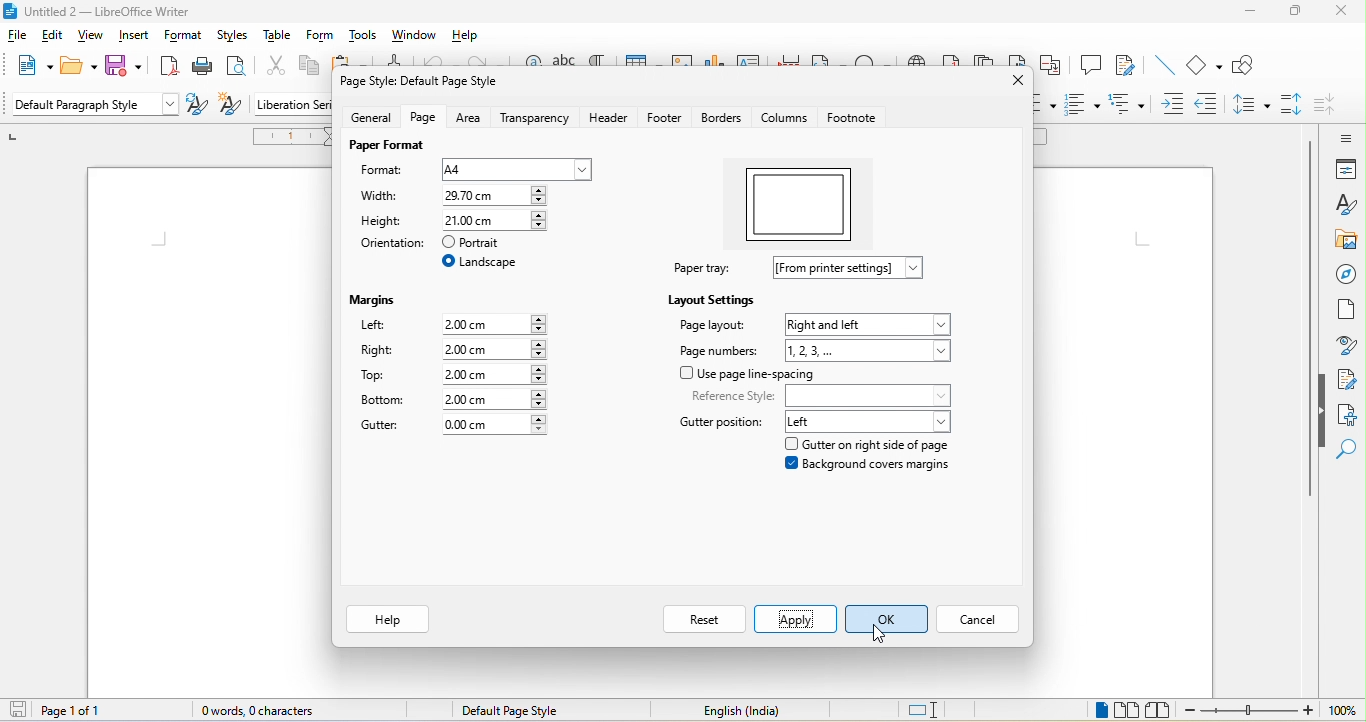 This screenshot has width=1366, height=722. I want to click on portrait, so click(481, 243).